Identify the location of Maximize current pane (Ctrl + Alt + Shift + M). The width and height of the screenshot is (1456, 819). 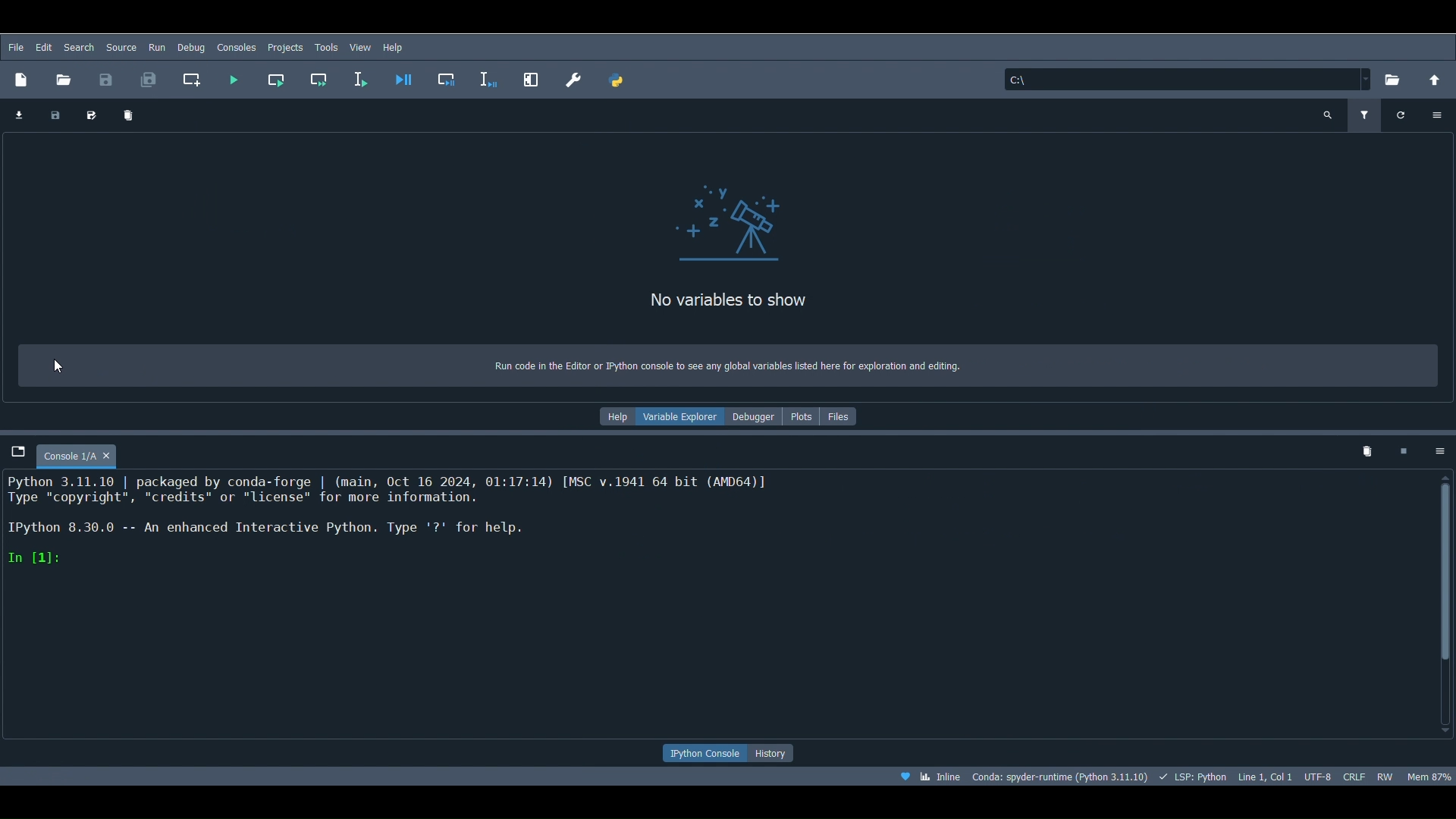
(532, 77).